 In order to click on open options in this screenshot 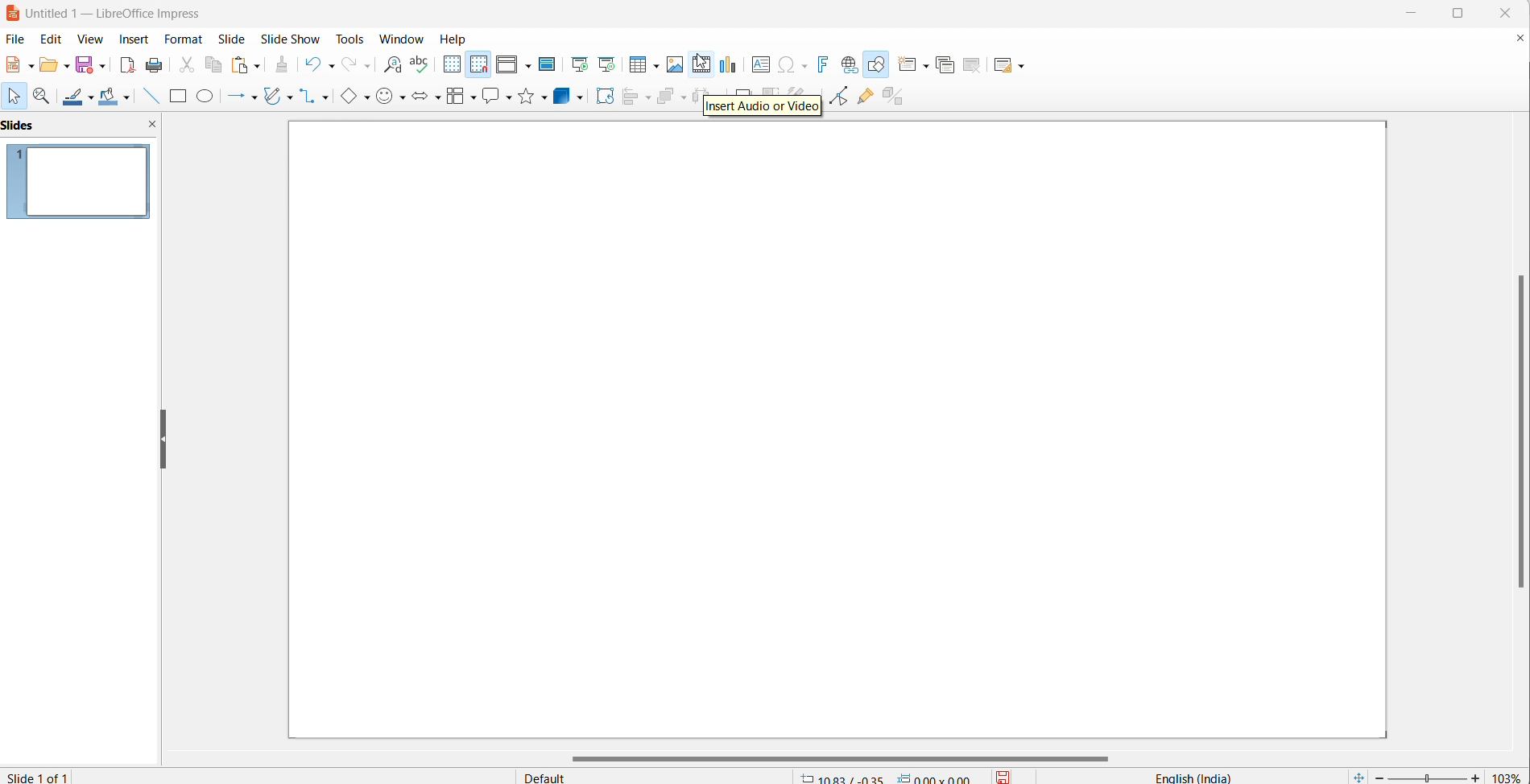, I will do `click(65, 66)`.